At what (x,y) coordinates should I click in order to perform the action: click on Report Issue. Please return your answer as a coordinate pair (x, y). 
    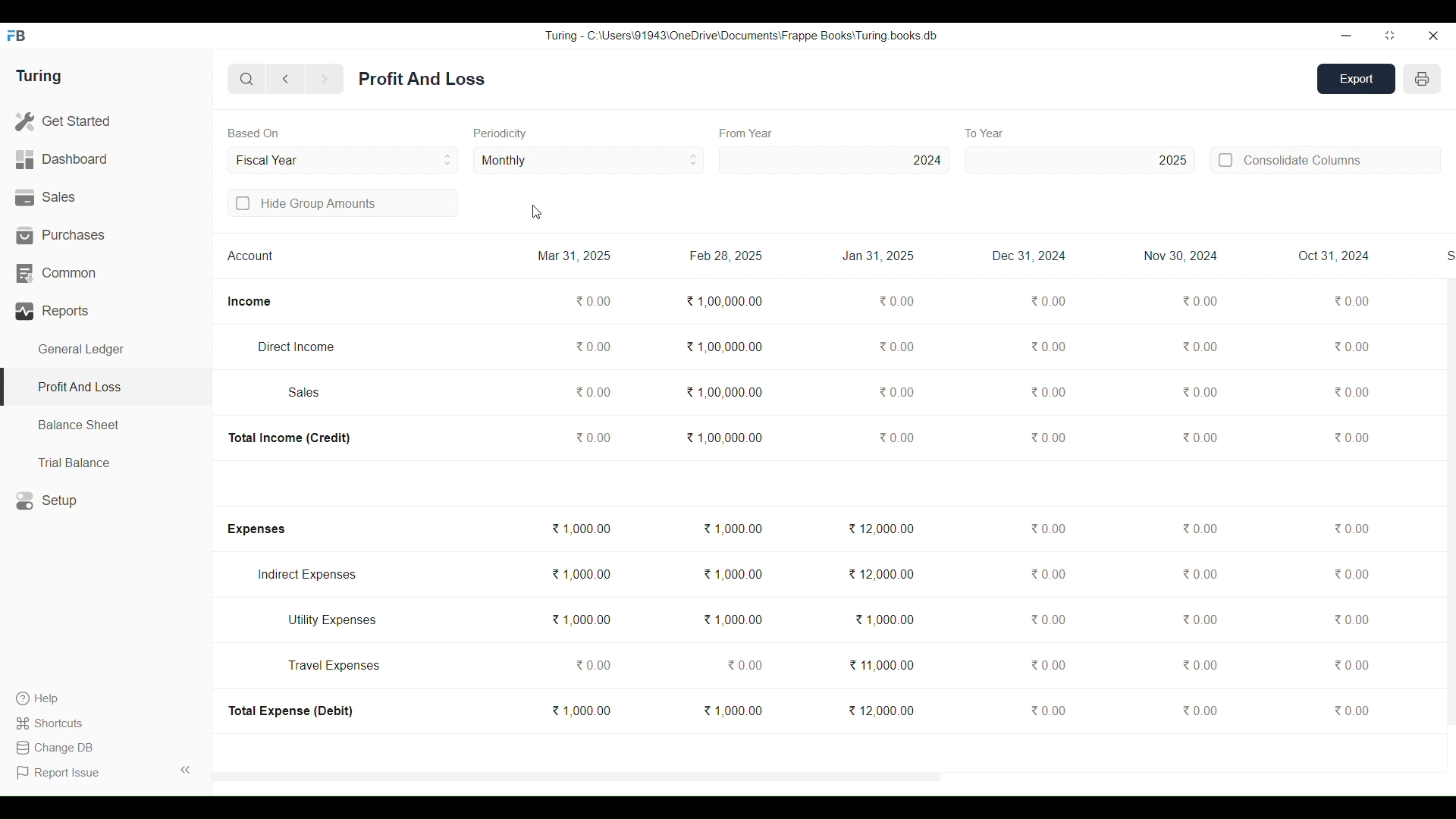
    Looking at the image, I should click on (61, 773).